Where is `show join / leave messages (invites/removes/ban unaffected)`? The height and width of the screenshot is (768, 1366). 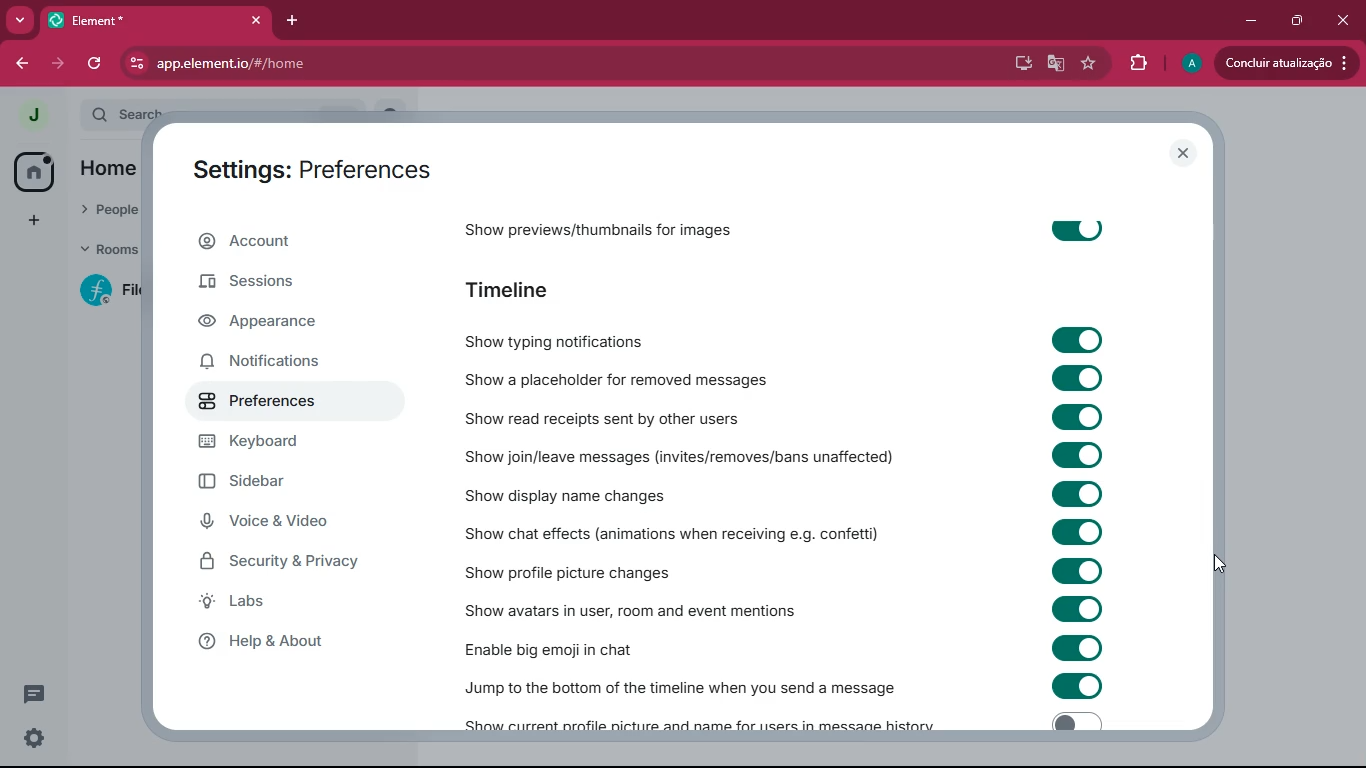
show join / leave messages (invites/removes/ban unaffected) is located at coordinates (686, 456).